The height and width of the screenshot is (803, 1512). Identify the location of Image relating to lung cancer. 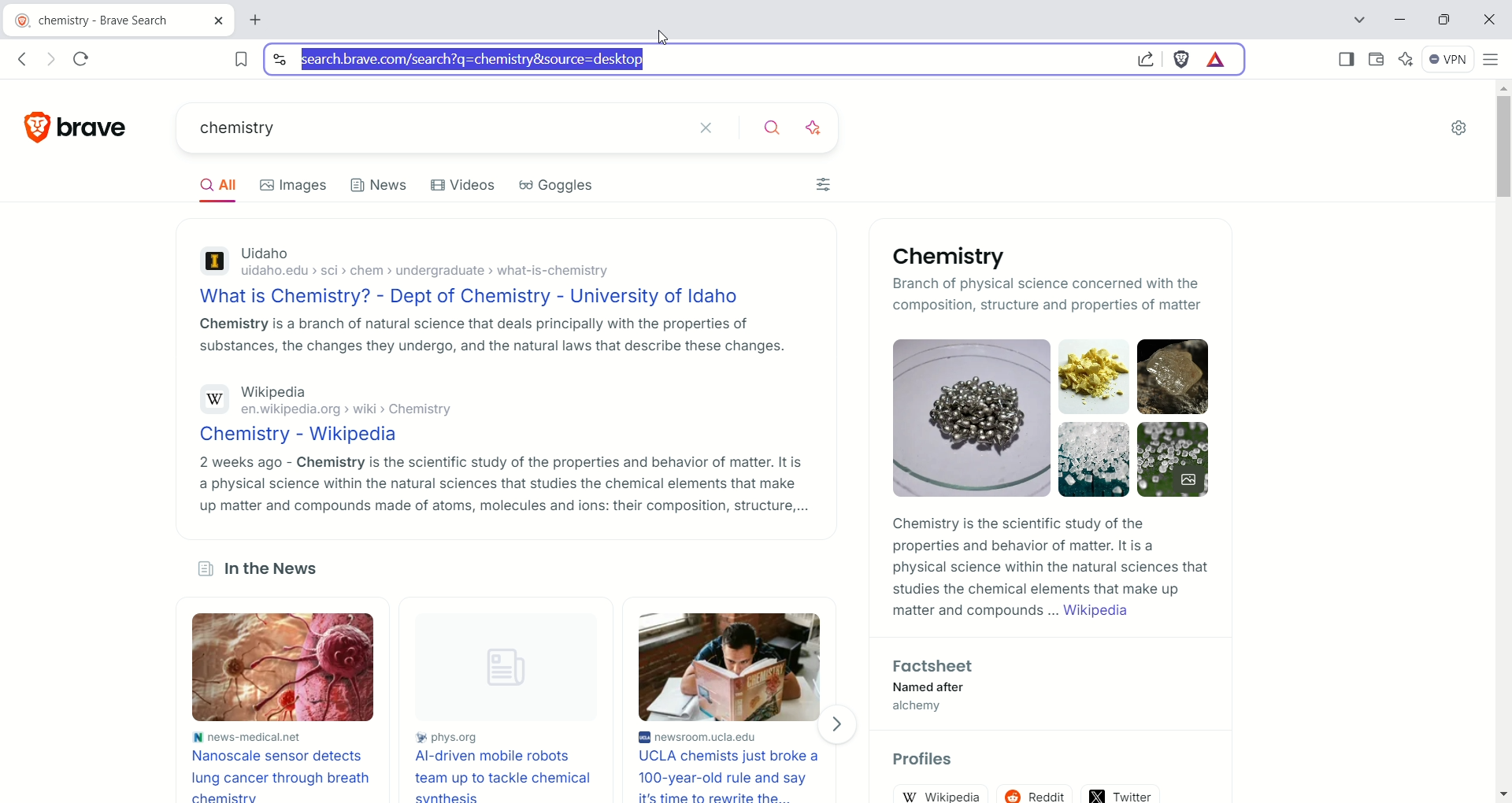
(278, 668).